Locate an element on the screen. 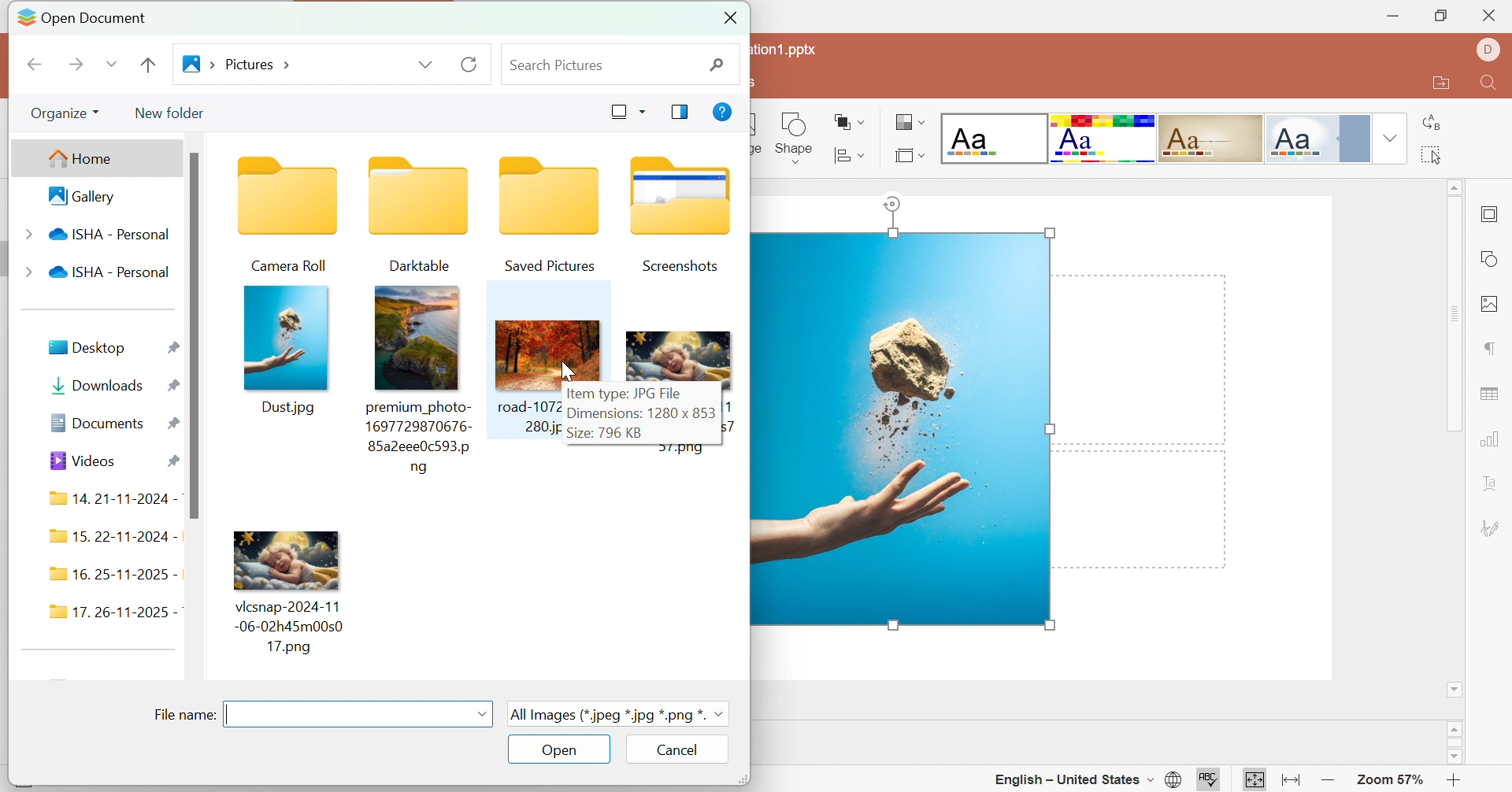 This screenshot has width=1512, height=792. Filename is located at coordinates (183, 715).